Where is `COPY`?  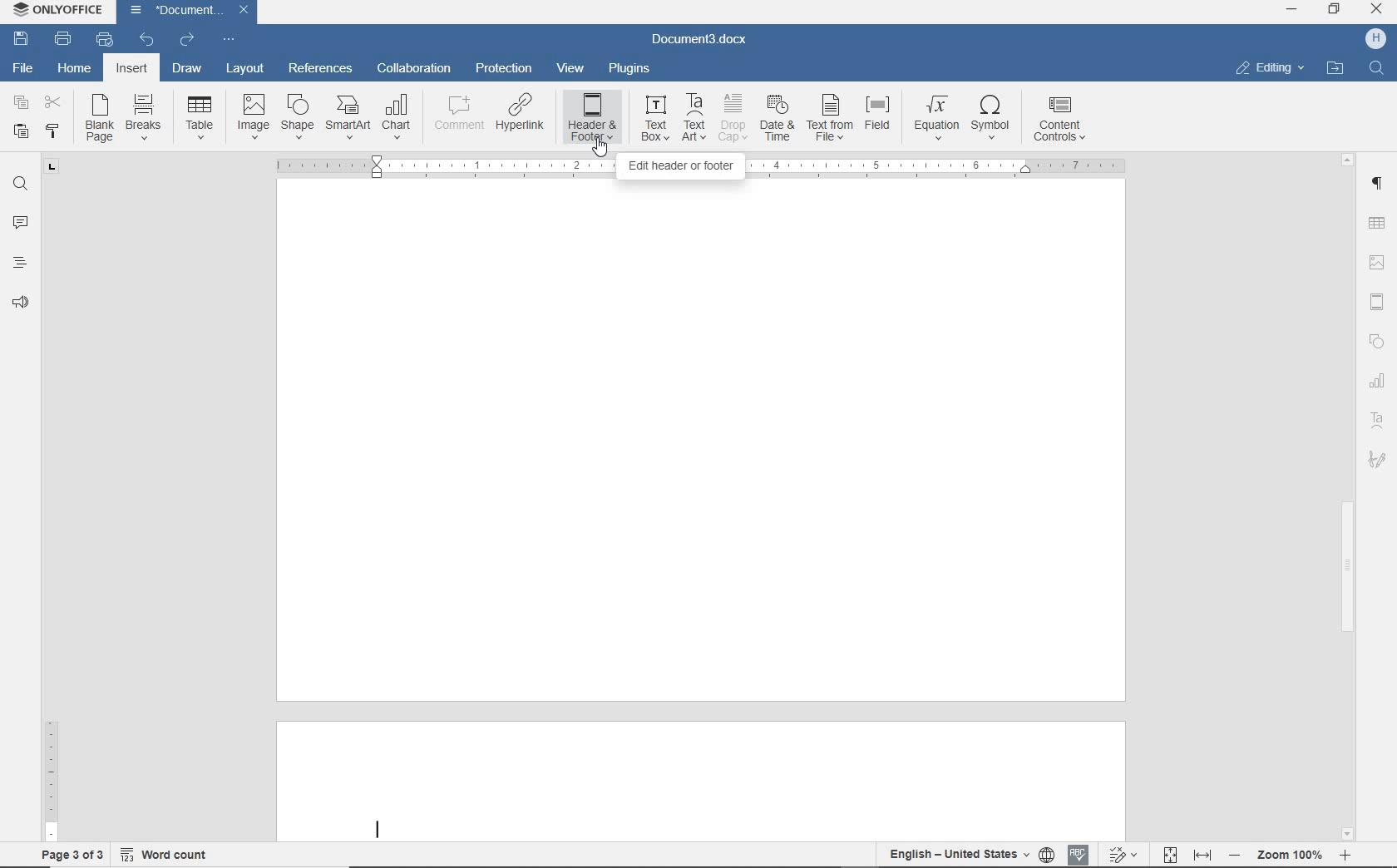 COPY is located at coordinates (21, 103).